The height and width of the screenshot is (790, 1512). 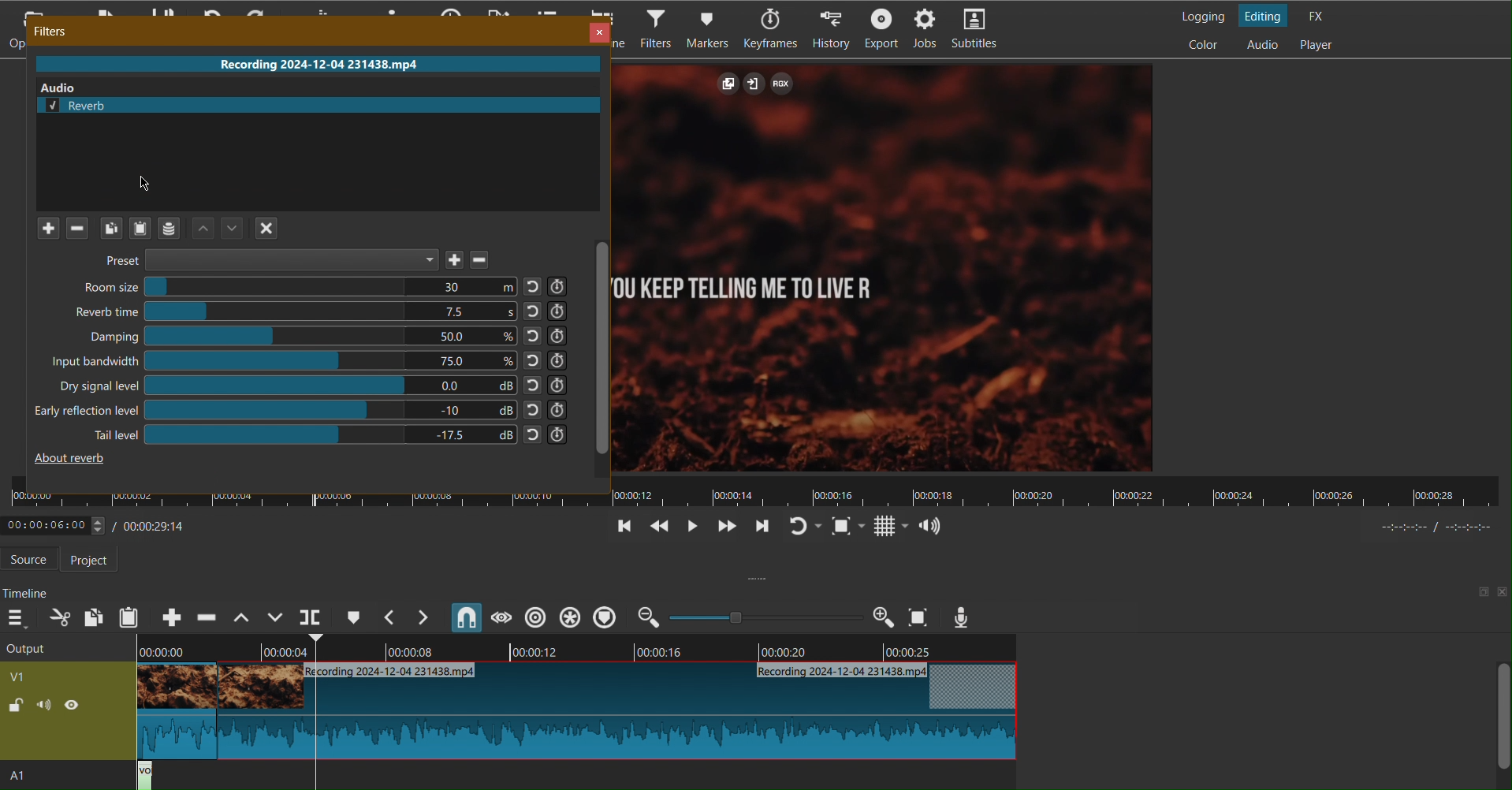 I want to click on Lift, so click(x=239, y=617).